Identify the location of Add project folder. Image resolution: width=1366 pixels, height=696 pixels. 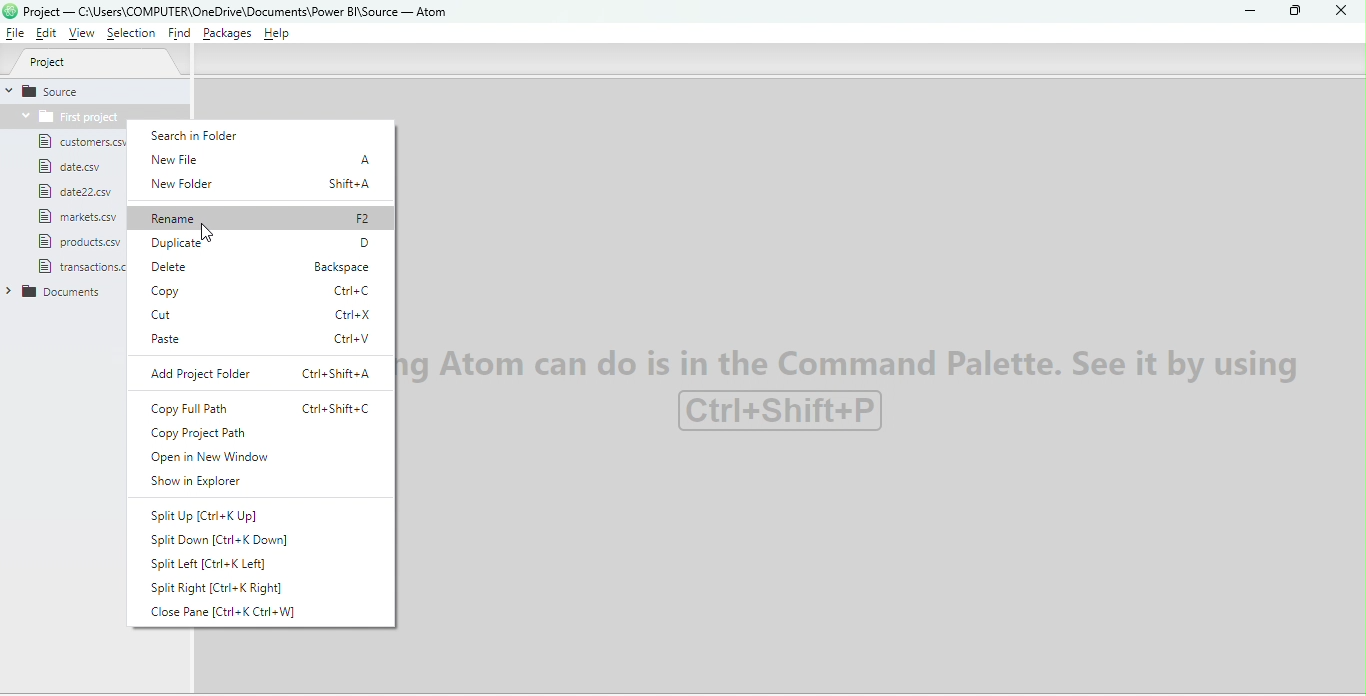
(260, 375).